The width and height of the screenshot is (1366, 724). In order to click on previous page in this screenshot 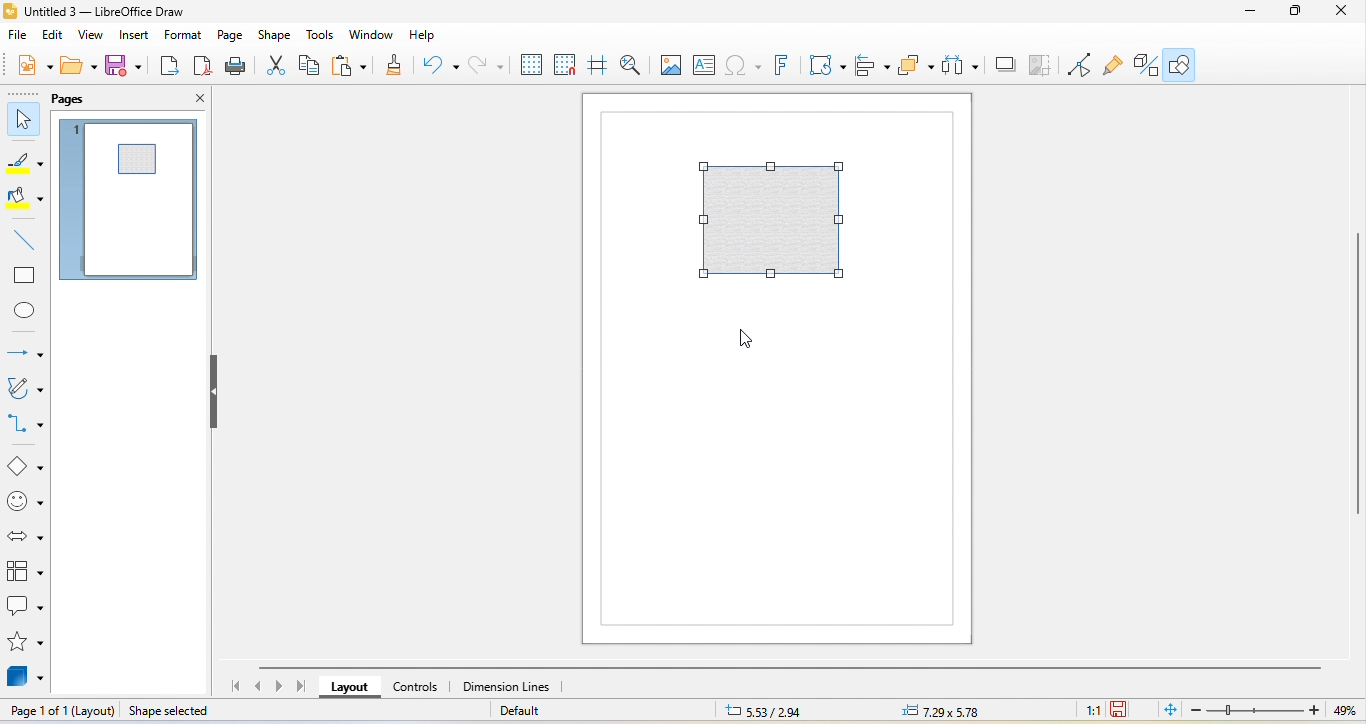, I will do `click(258, 686)`.